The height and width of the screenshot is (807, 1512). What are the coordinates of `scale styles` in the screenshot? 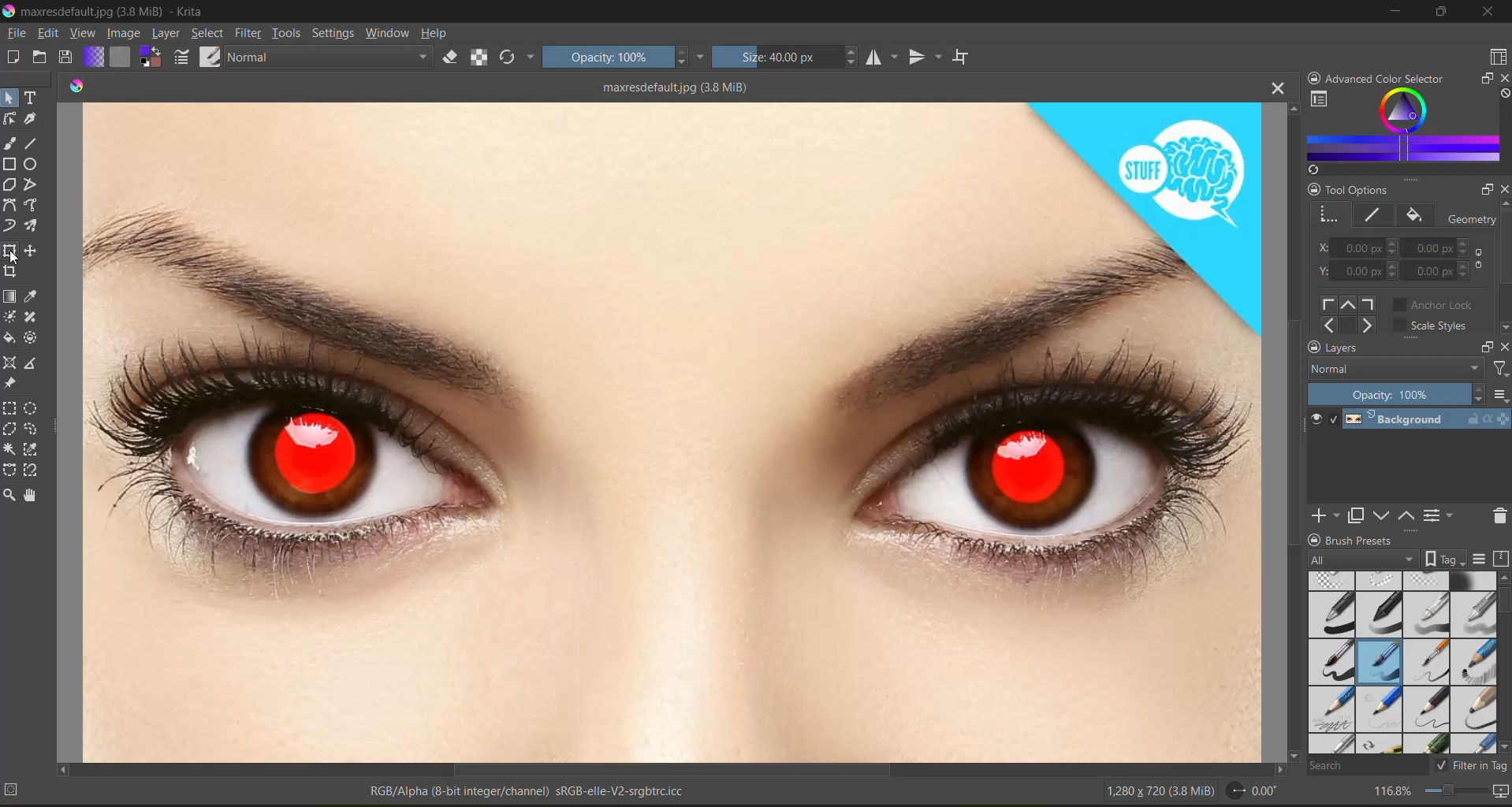 It's located at (1435, 325).